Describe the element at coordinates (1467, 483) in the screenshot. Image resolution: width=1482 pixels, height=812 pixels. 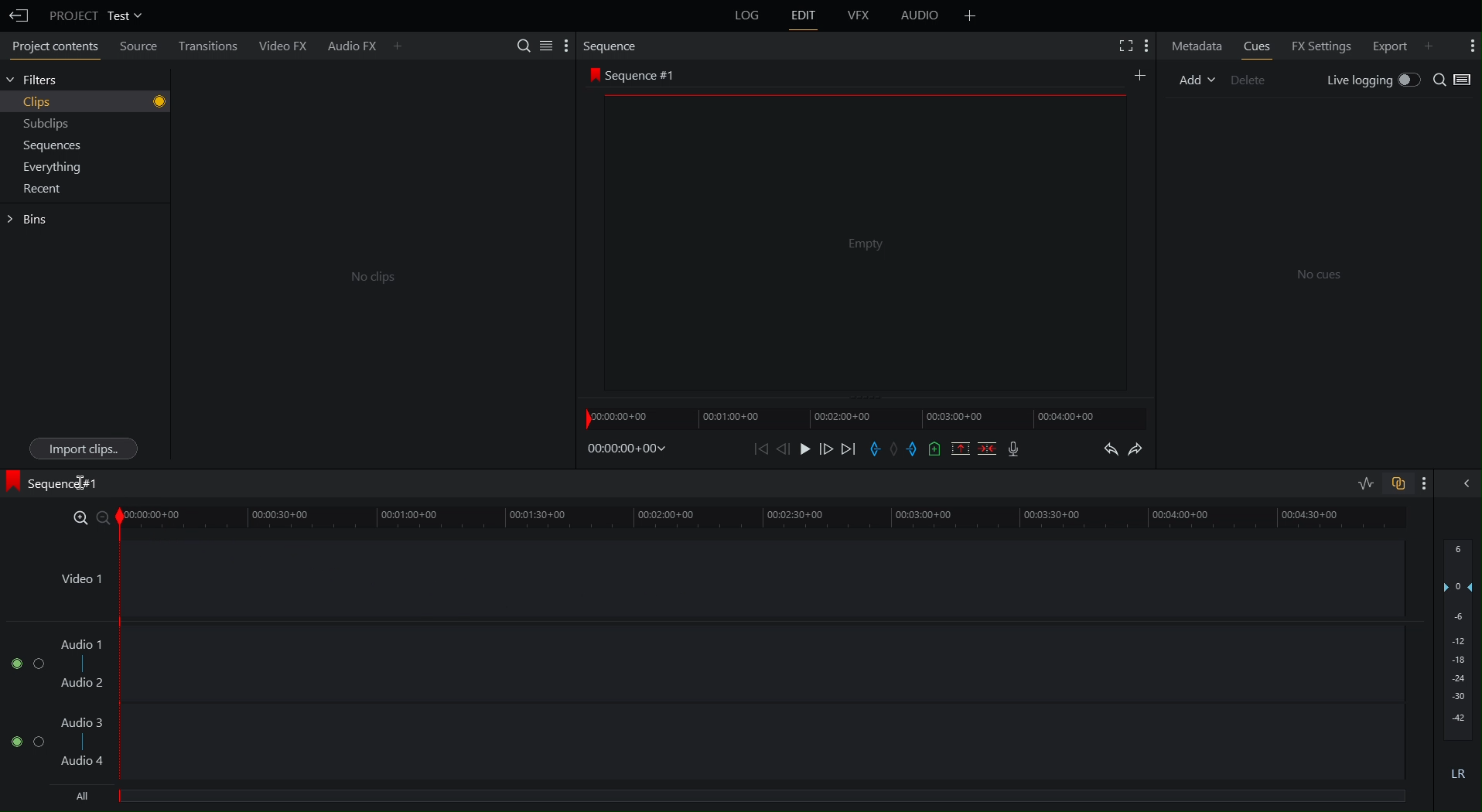
I see `Show/hide audio mix` at that location.